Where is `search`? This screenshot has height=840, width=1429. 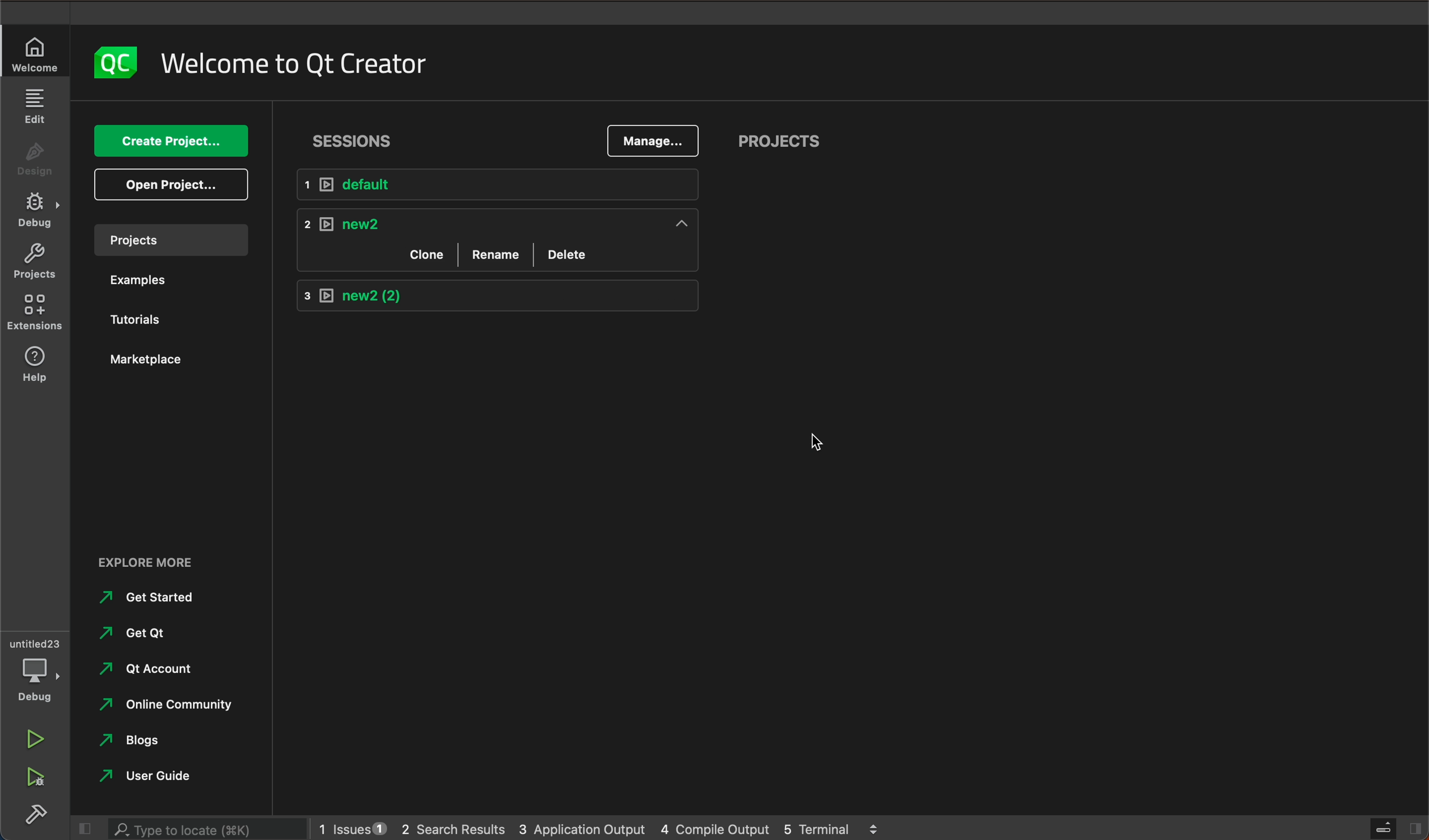 search is located at coordinates (200, 828).